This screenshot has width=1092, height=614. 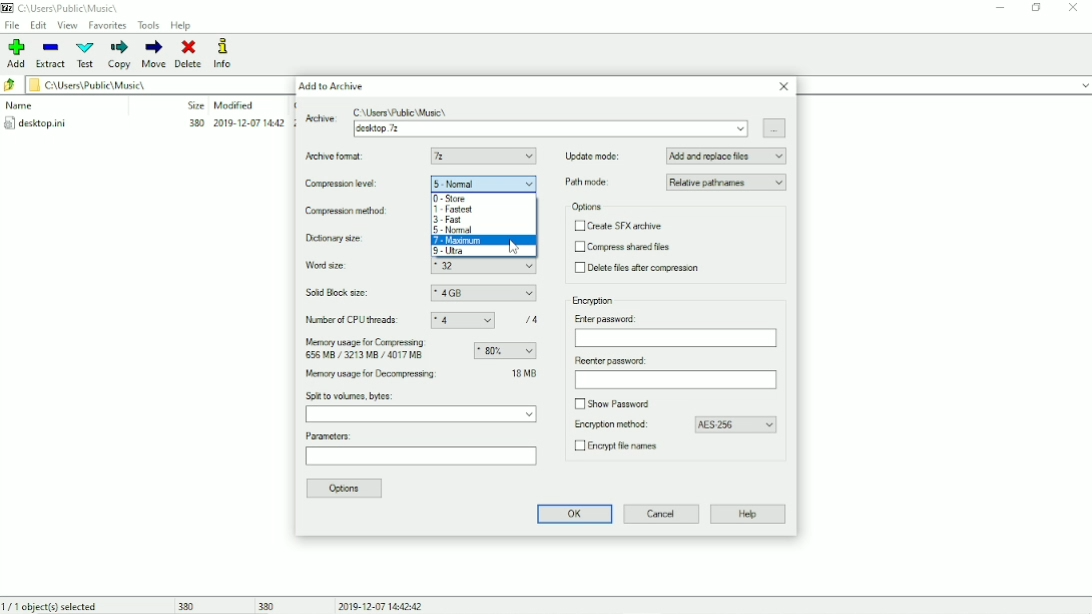 I want to click on 4GB, so click(x=483, y=294).